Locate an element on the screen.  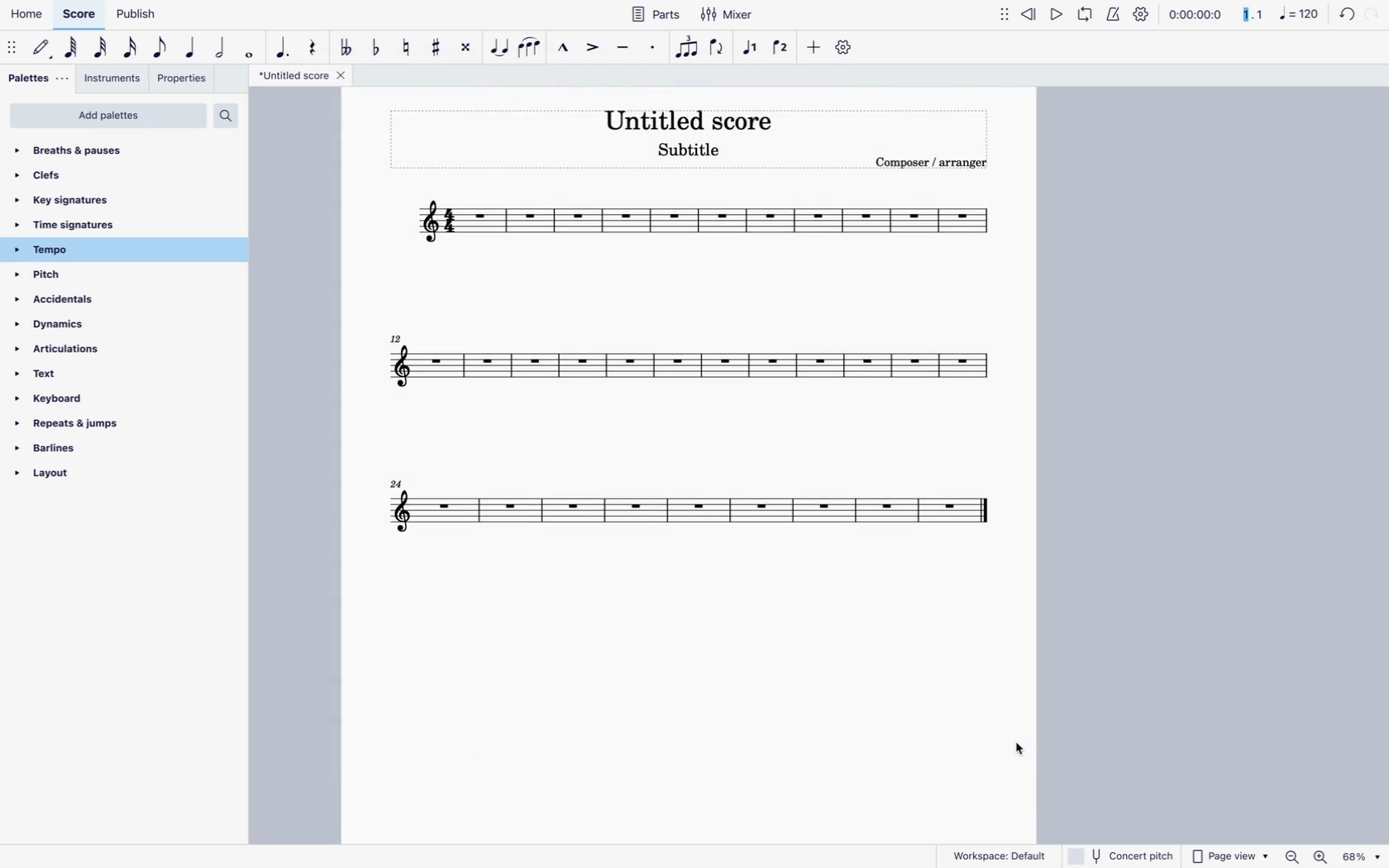
barlines is located at coordinates (76, 453).